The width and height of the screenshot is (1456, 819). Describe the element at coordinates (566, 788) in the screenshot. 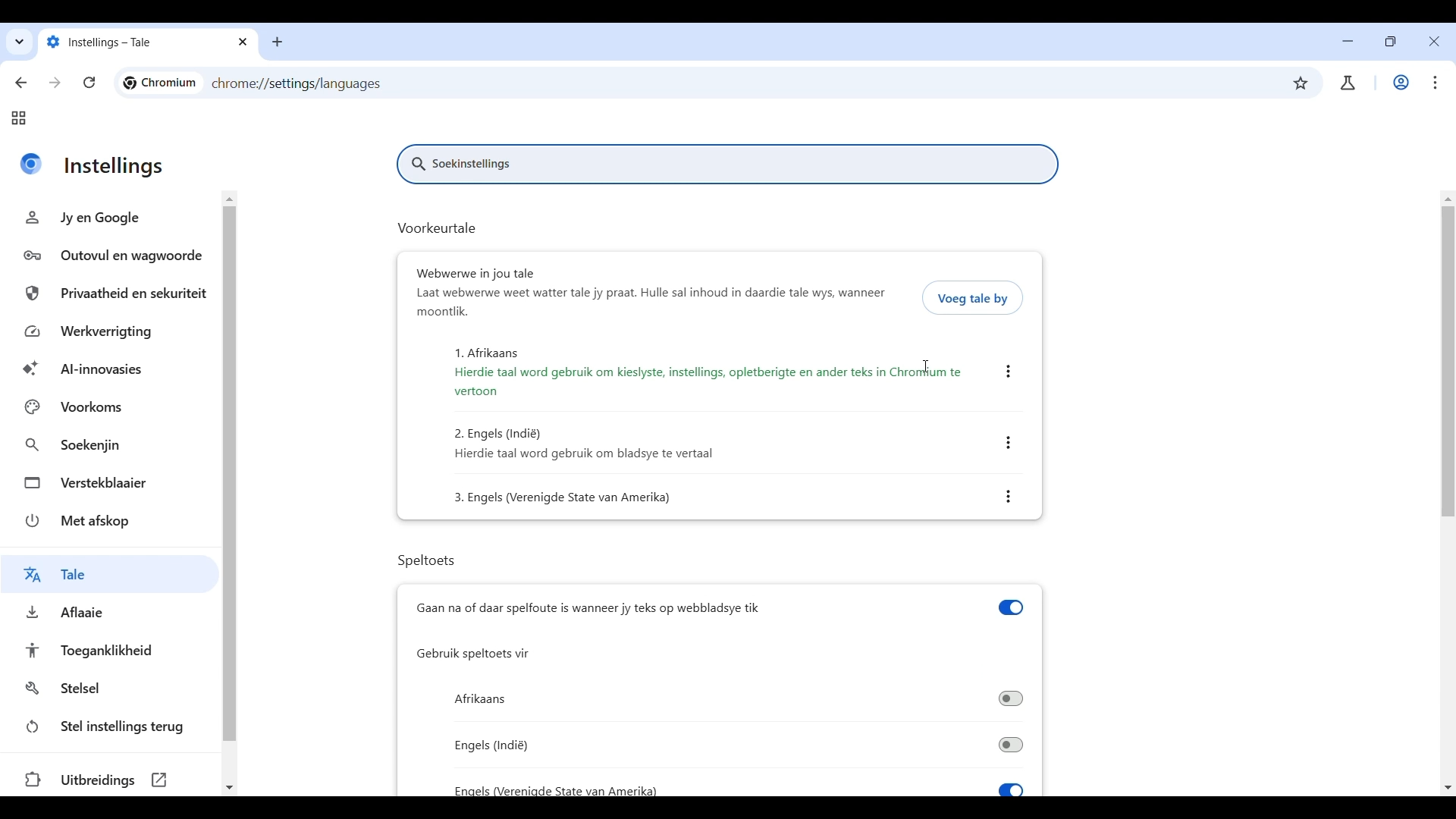

I see `Enaels (Vereniade State van Amerika)` at that location.